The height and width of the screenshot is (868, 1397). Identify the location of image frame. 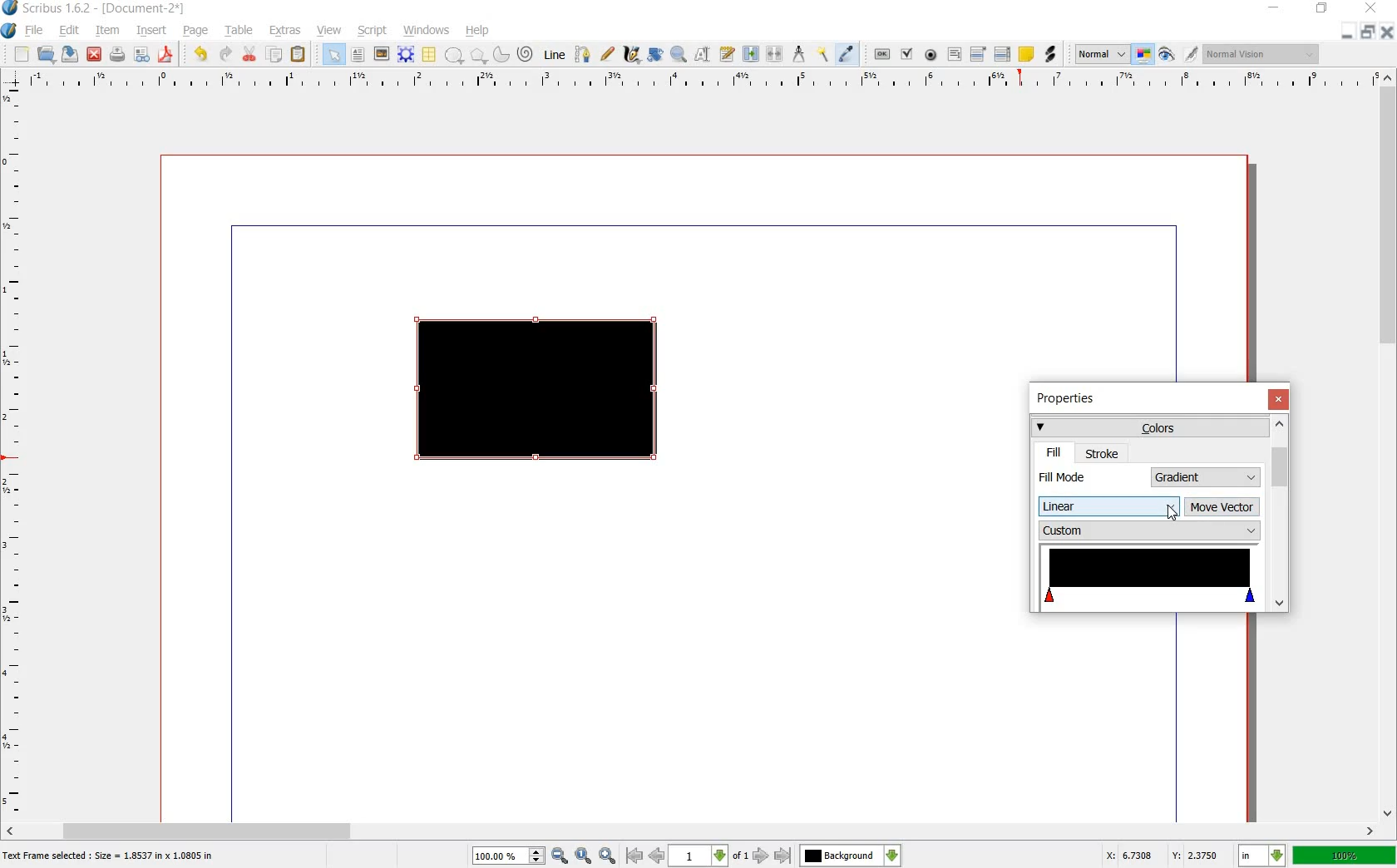
(380, 54).